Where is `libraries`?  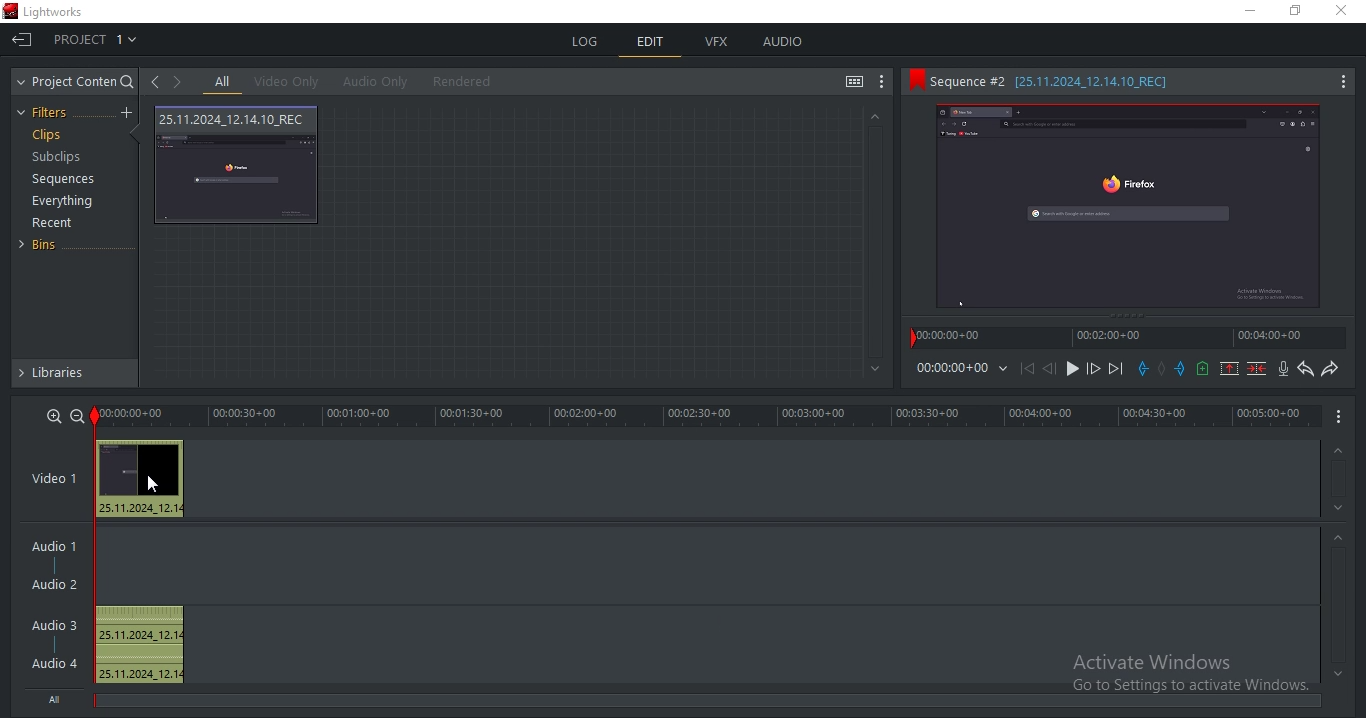
libraries is located at coordinates (78, 373).